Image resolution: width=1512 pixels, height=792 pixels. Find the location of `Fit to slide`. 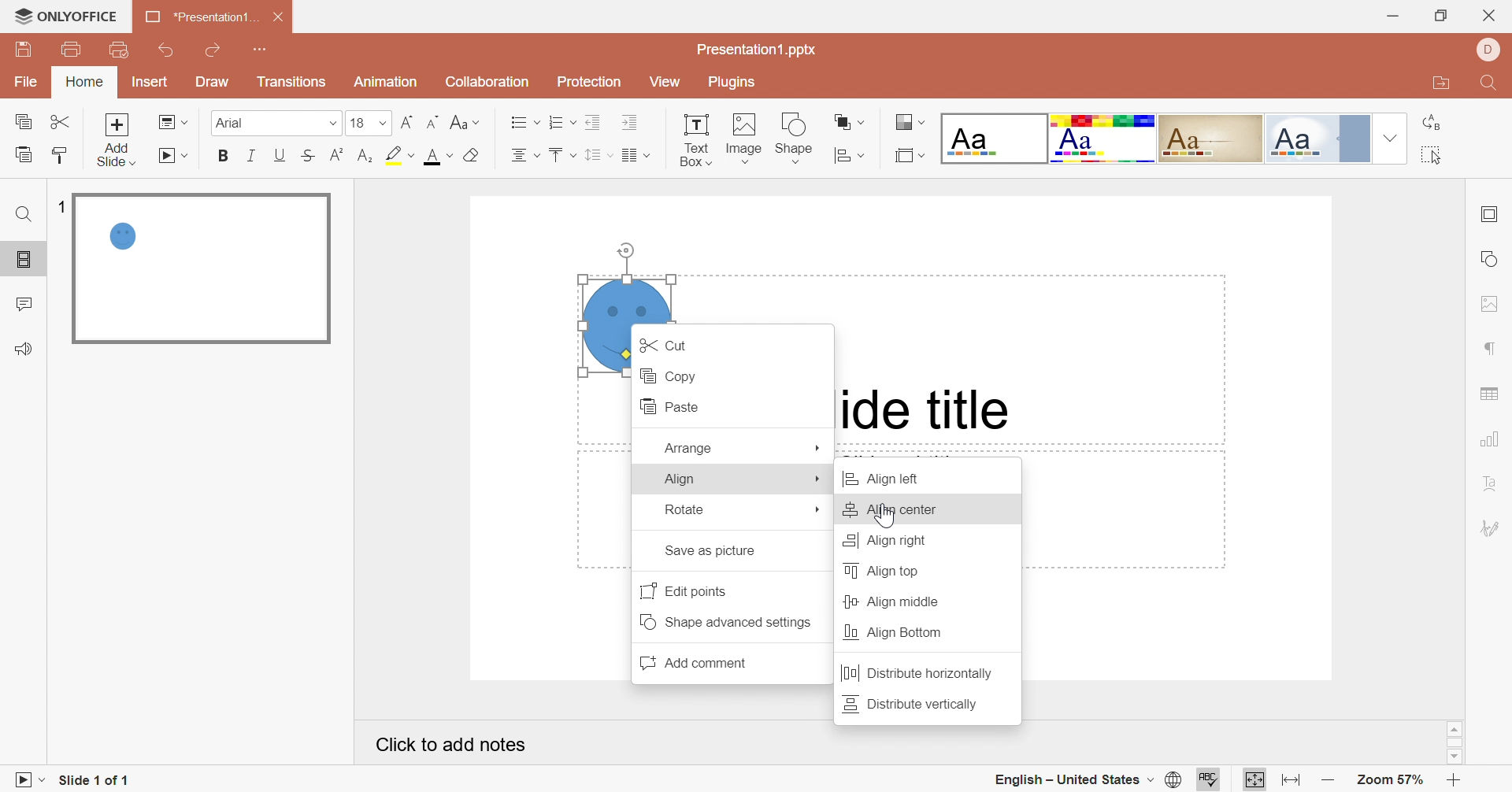

Fit to slide is located at coordinates (1254, 780).